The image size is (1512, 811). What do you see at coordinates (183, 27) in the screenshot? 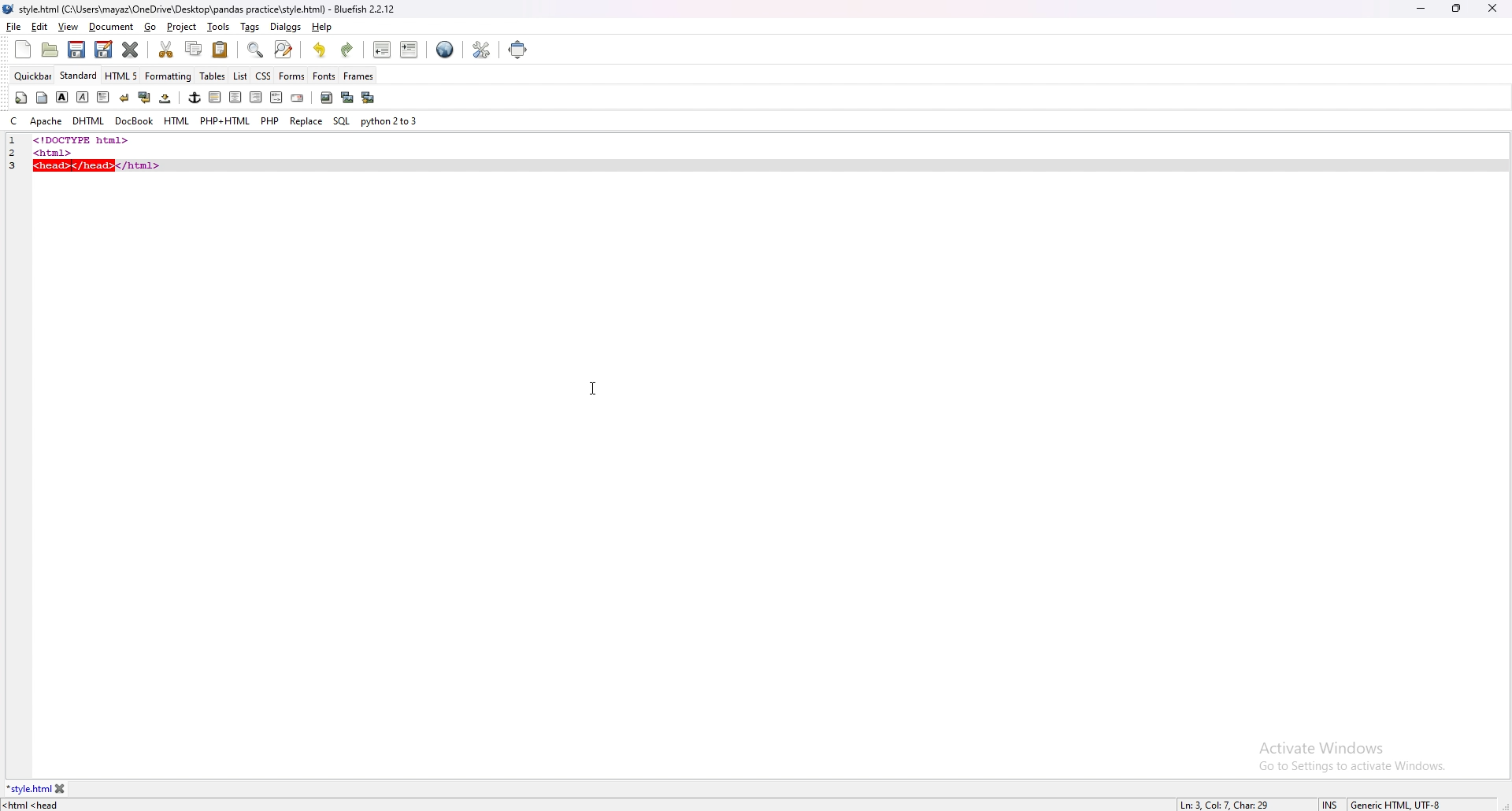
I see `project` at bounding box center [183, 27].